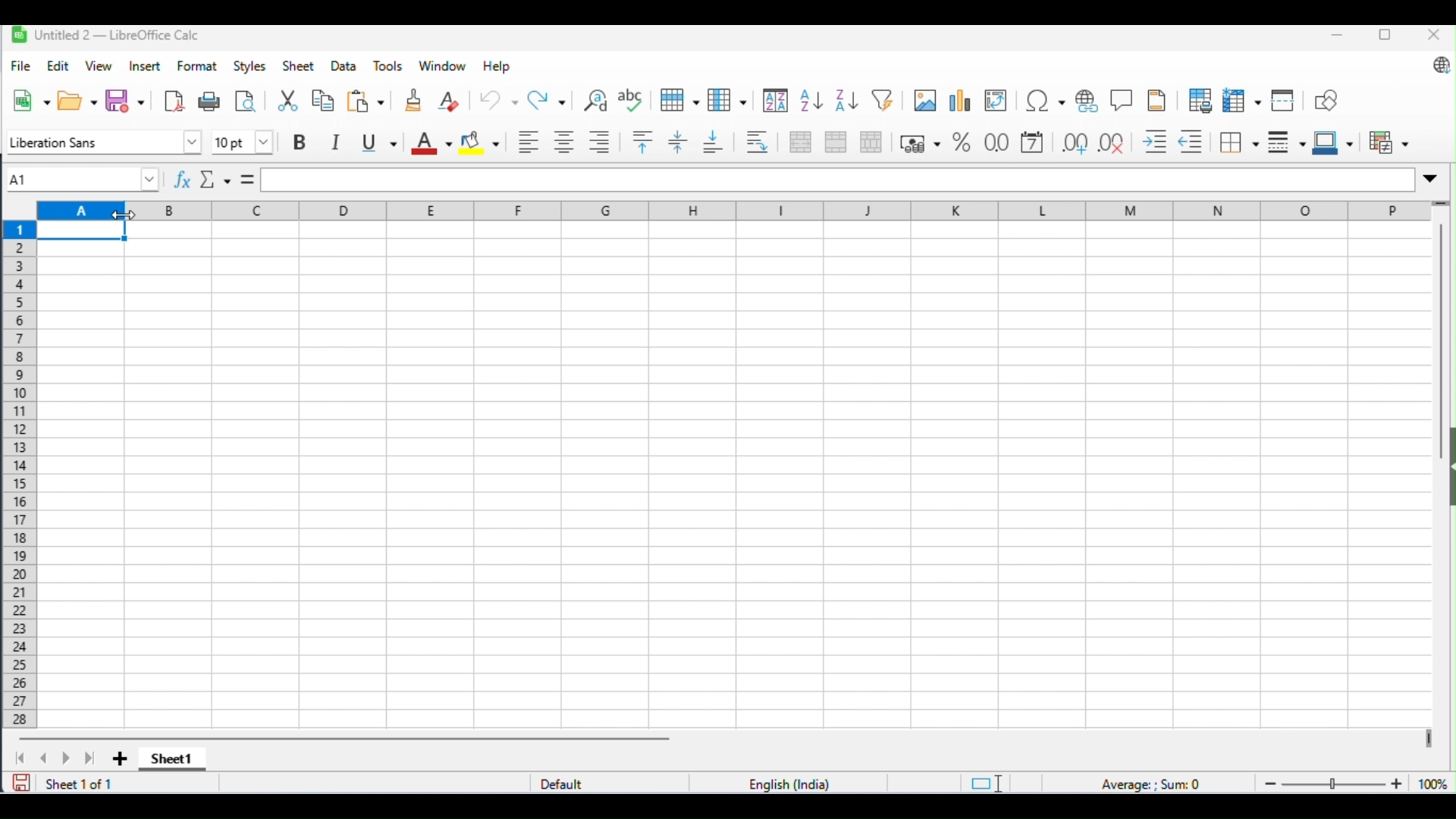 The image size is (1456, 819). Describe the element at coordinates (91, 759) in the screenshot. I see `last sheet` at that location.